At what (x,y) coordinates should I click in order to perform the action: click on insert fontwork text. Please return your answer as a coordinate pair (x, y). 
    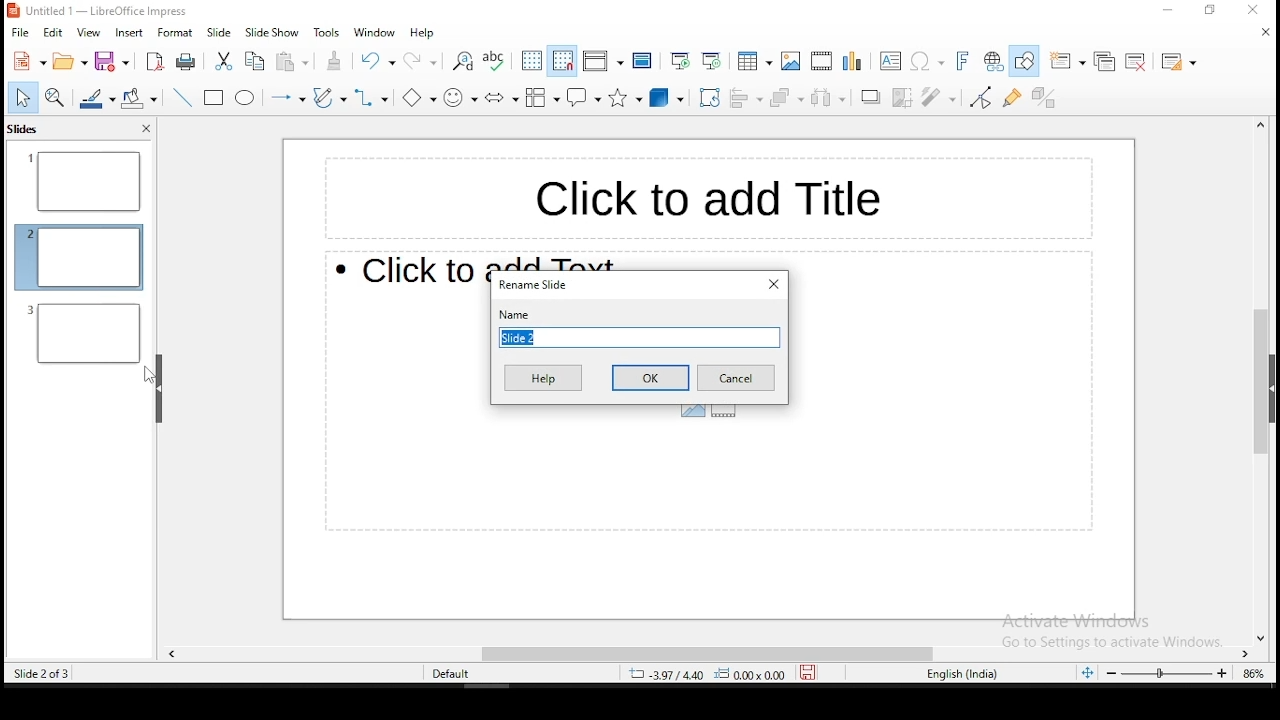
    Looking at the image, I should click on (964, 60).